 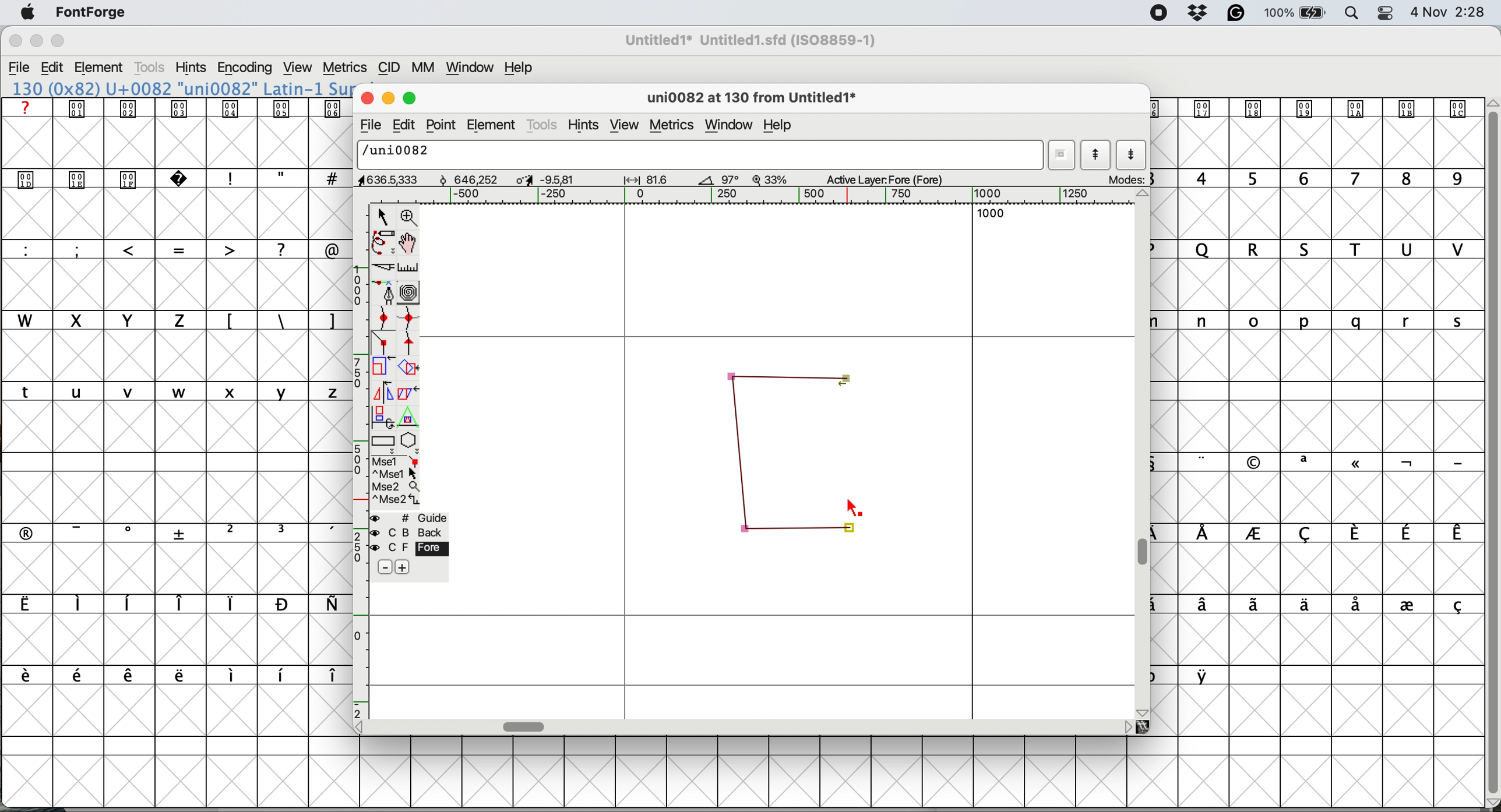 I want to click on fontforge, so click(x=92, y=12).